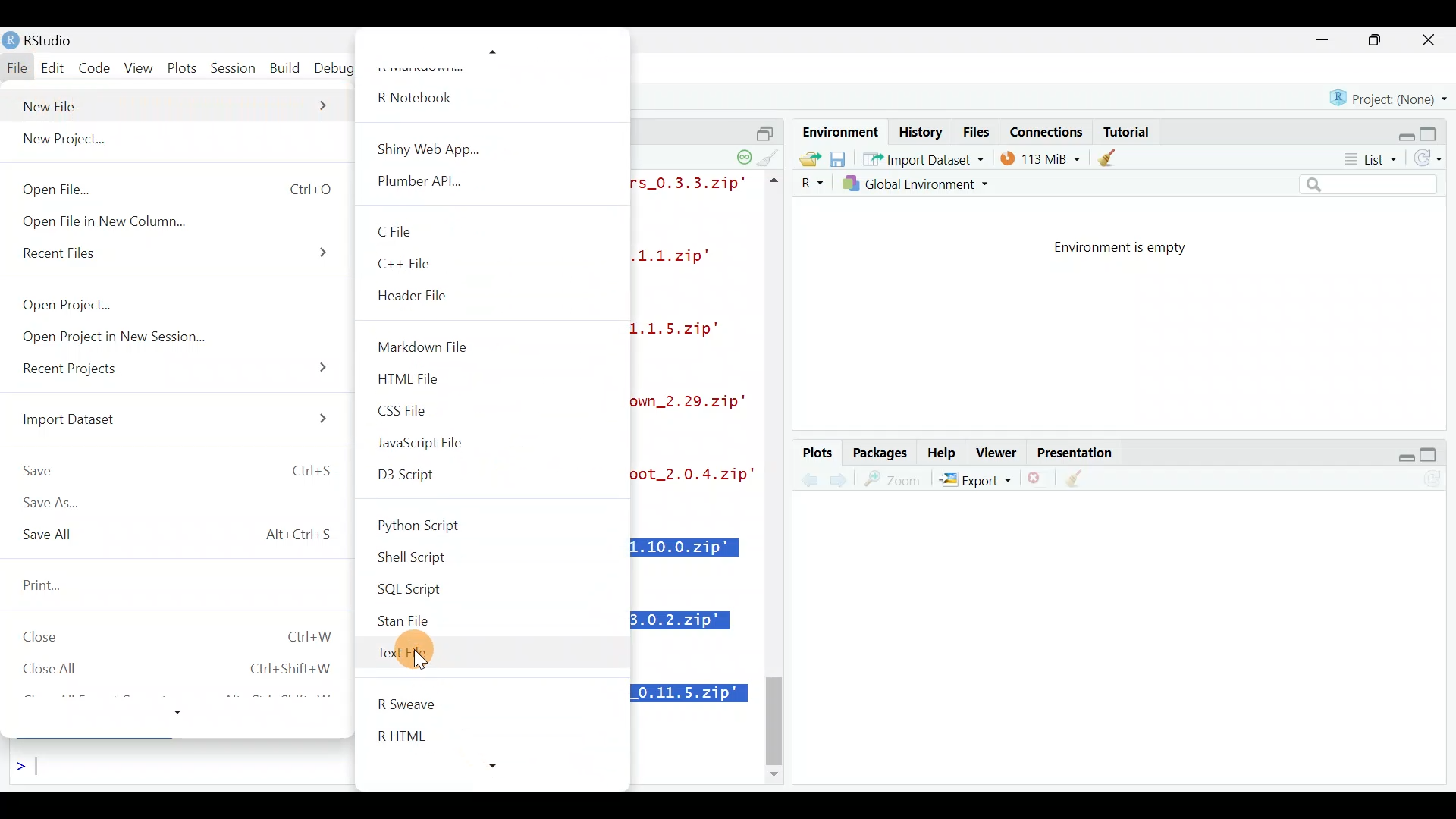 The width and height of the screenshot is (1456, 819). What do you see at coordinates (1437, 480) in the screenshot?
I see `Refresh current plot` at bounding box center [1437, 480].